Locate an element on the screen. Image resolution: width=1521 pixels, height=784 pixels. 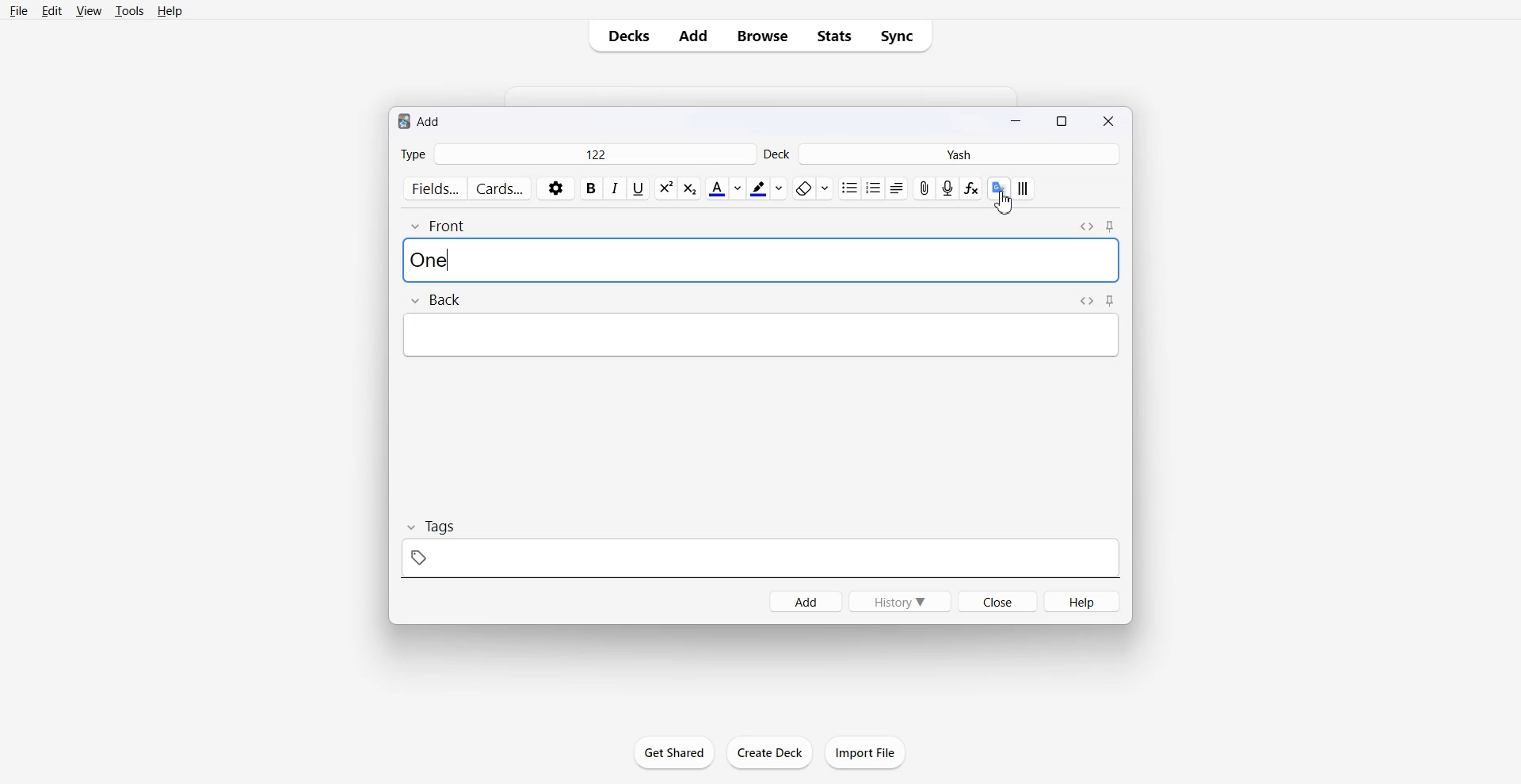
Settings is located at coordinates (556, 188).